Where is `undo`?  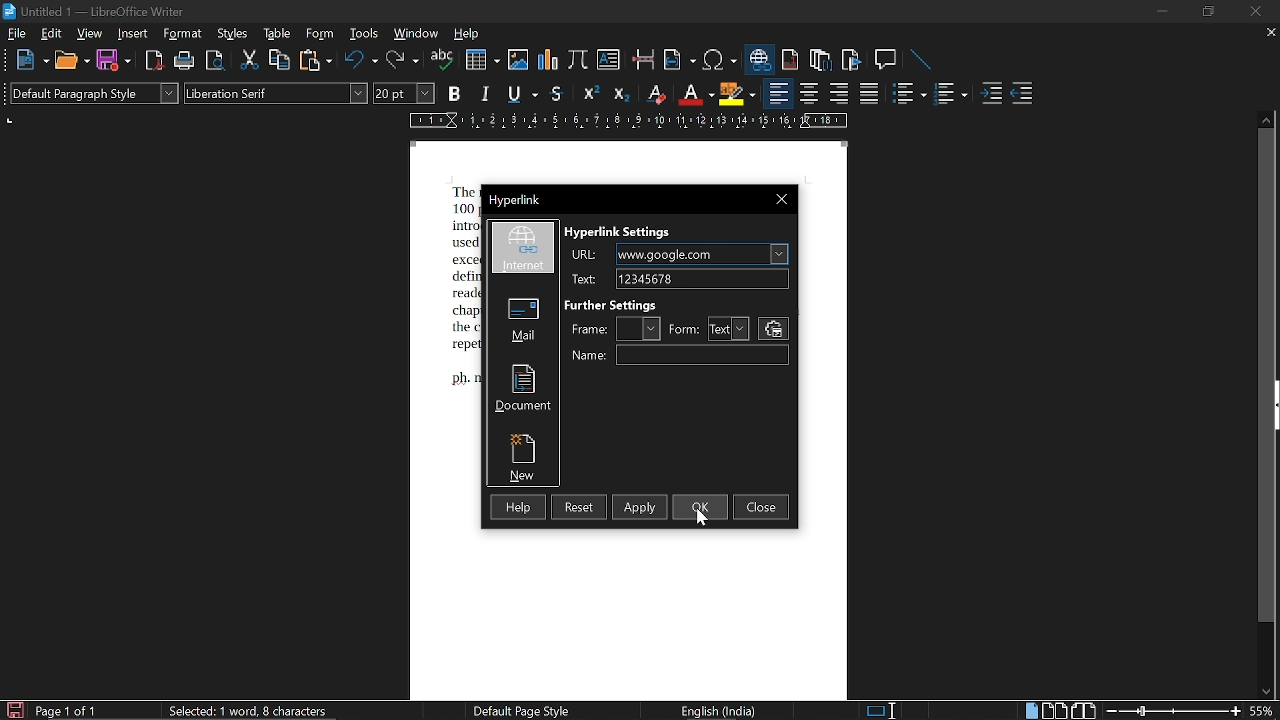
undo is located at coordinates (359, 62).